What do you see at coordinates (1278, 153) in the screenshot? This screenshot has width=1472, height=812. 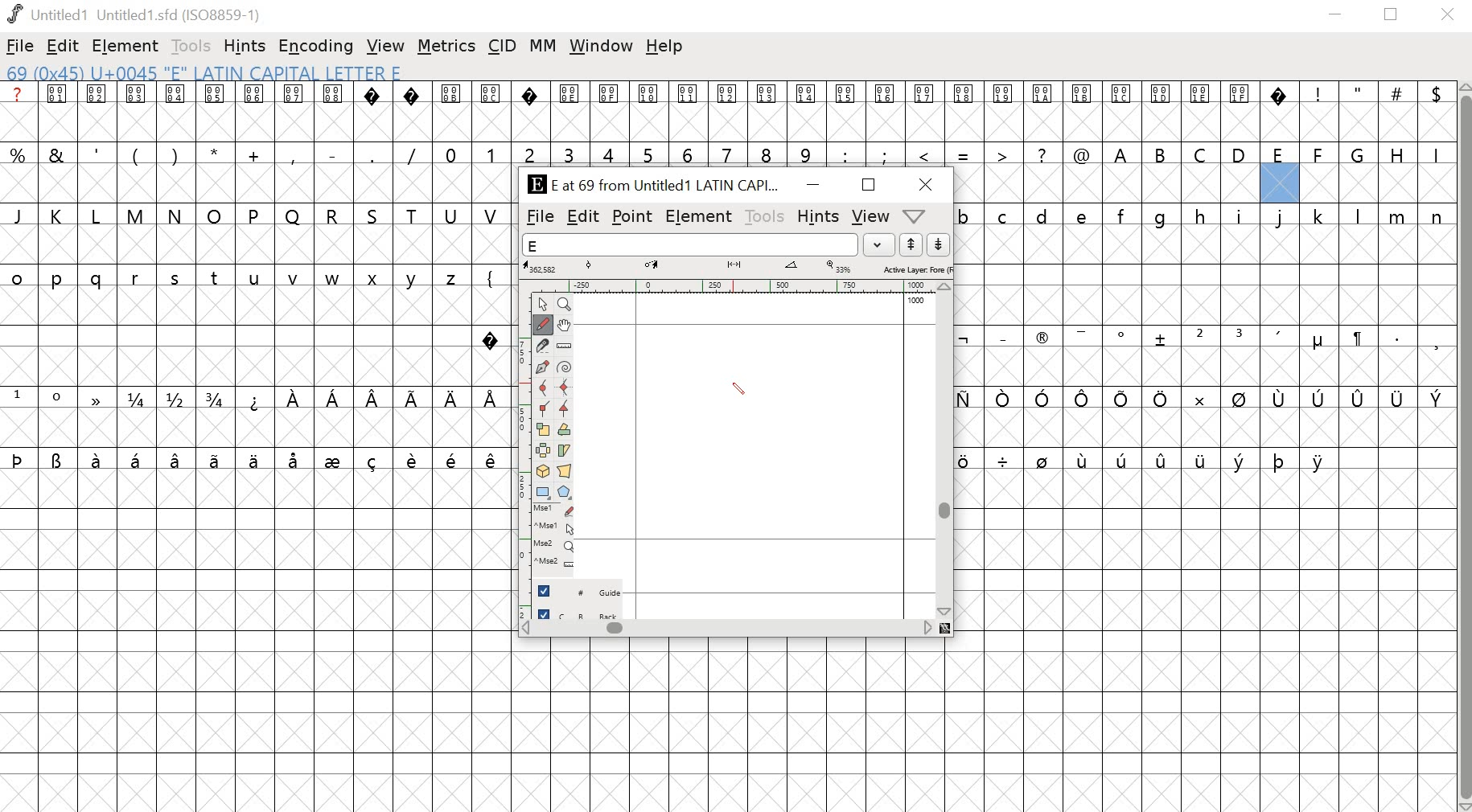 I see `uppercase alphabets` at bounding box center [1278, 153].